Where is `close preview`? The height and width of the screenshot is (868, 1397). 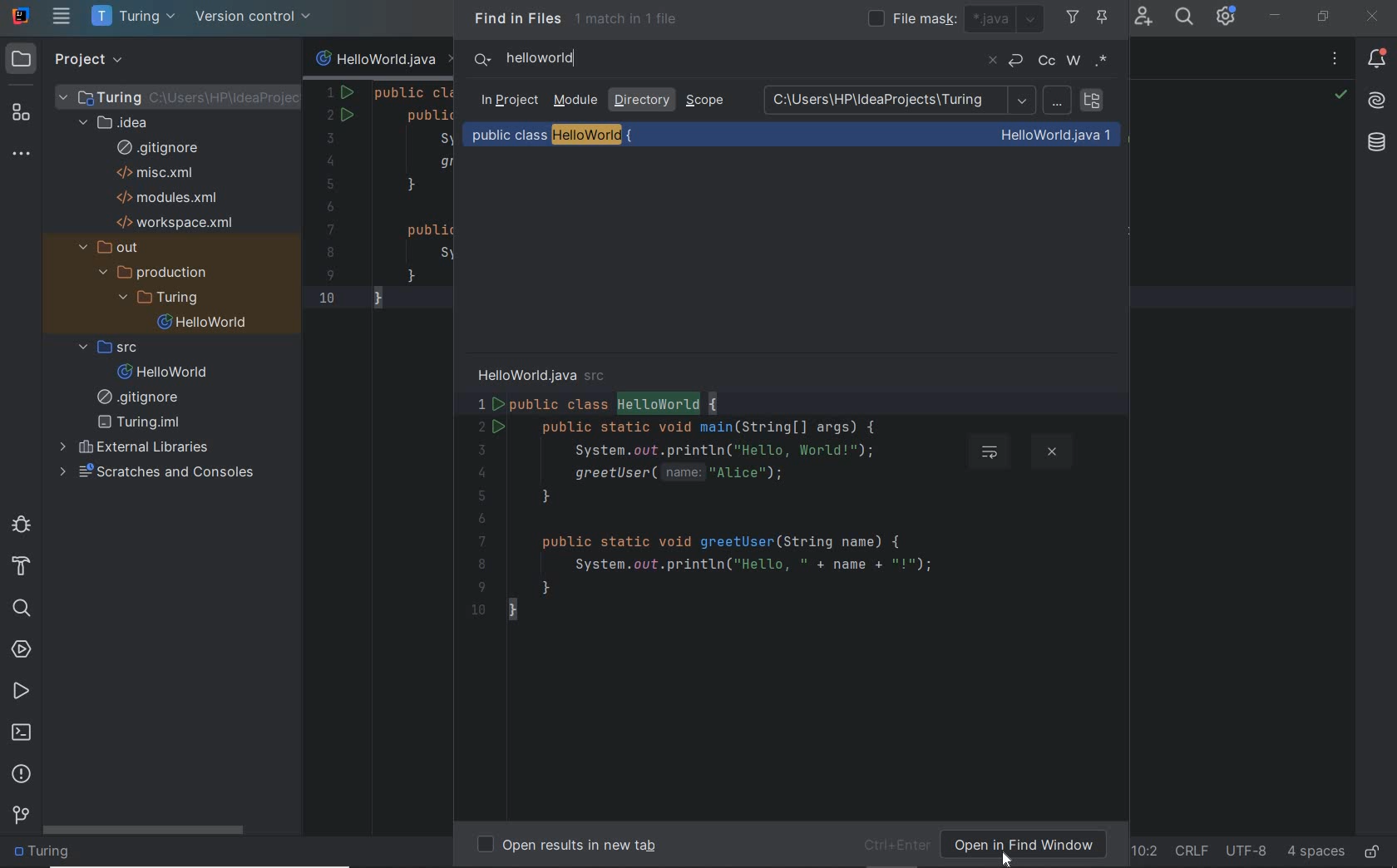
close preview is located at coordinates (1053, 451).